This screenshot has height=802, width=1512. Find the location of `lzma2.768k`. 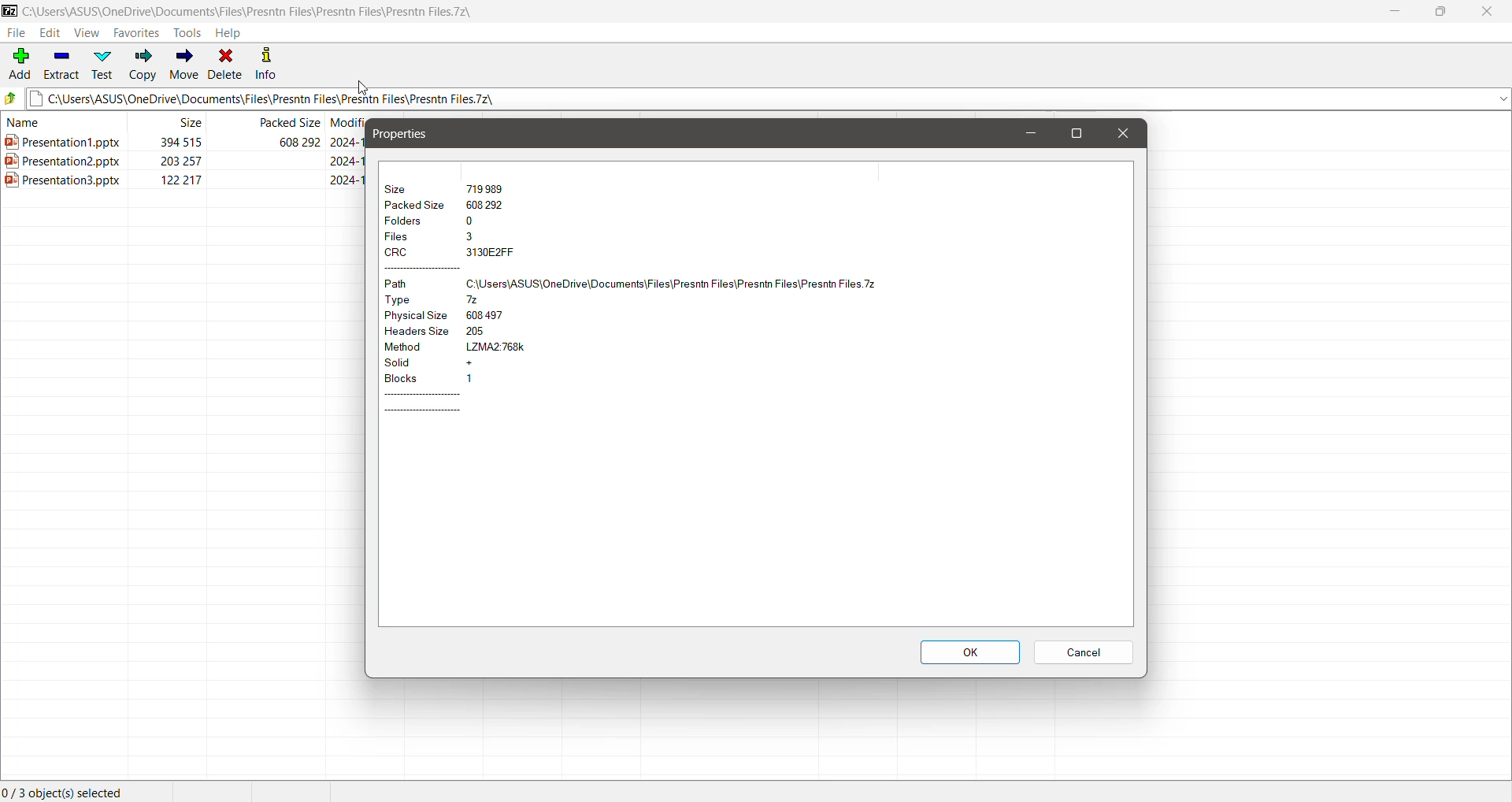

lzma2.768k is located at coordinates (501, 347).